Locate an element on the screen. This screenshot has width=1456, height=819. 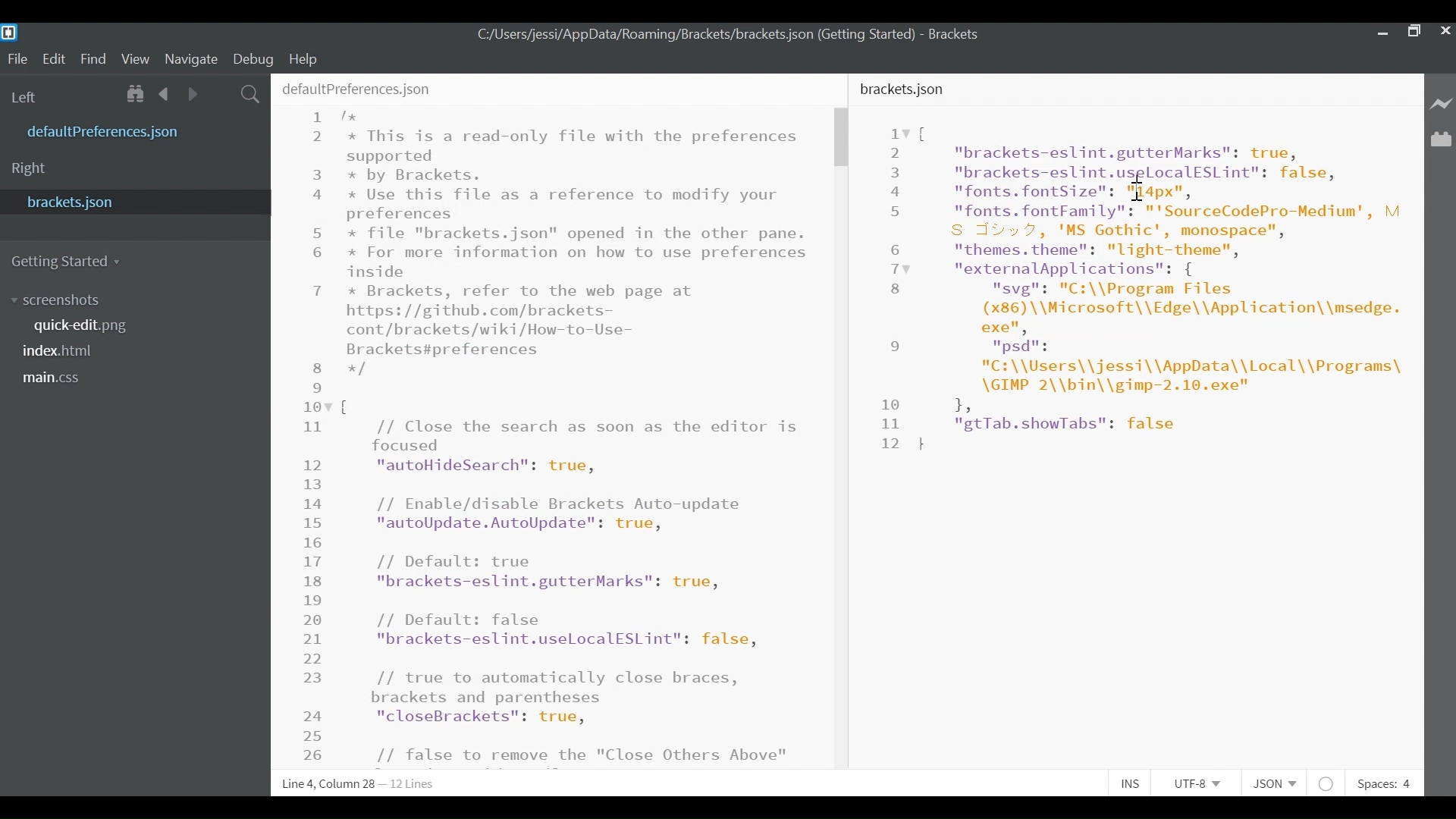
Find is located at coordinates (93, 57).